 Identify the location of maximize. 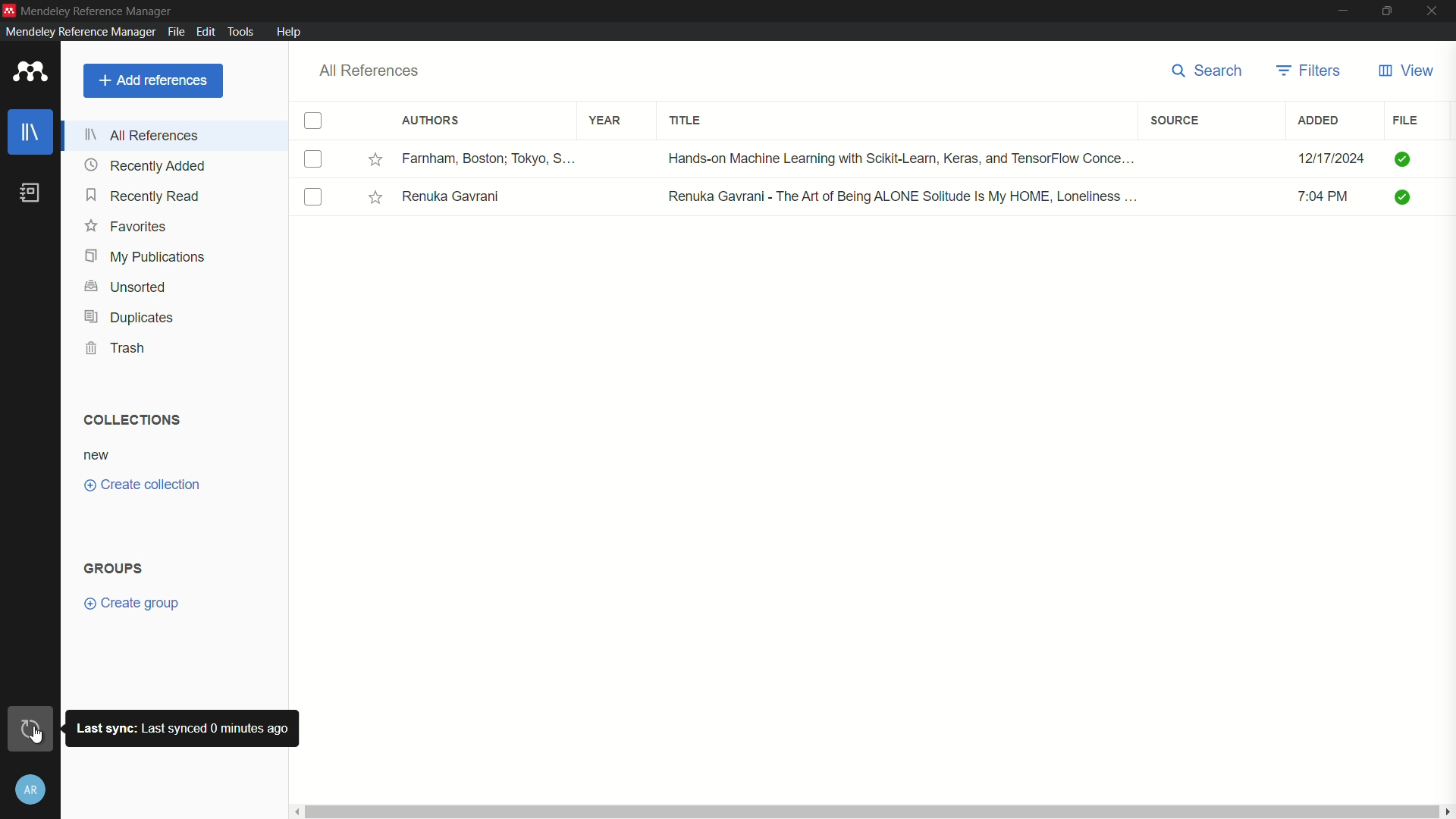
(1387, 11).